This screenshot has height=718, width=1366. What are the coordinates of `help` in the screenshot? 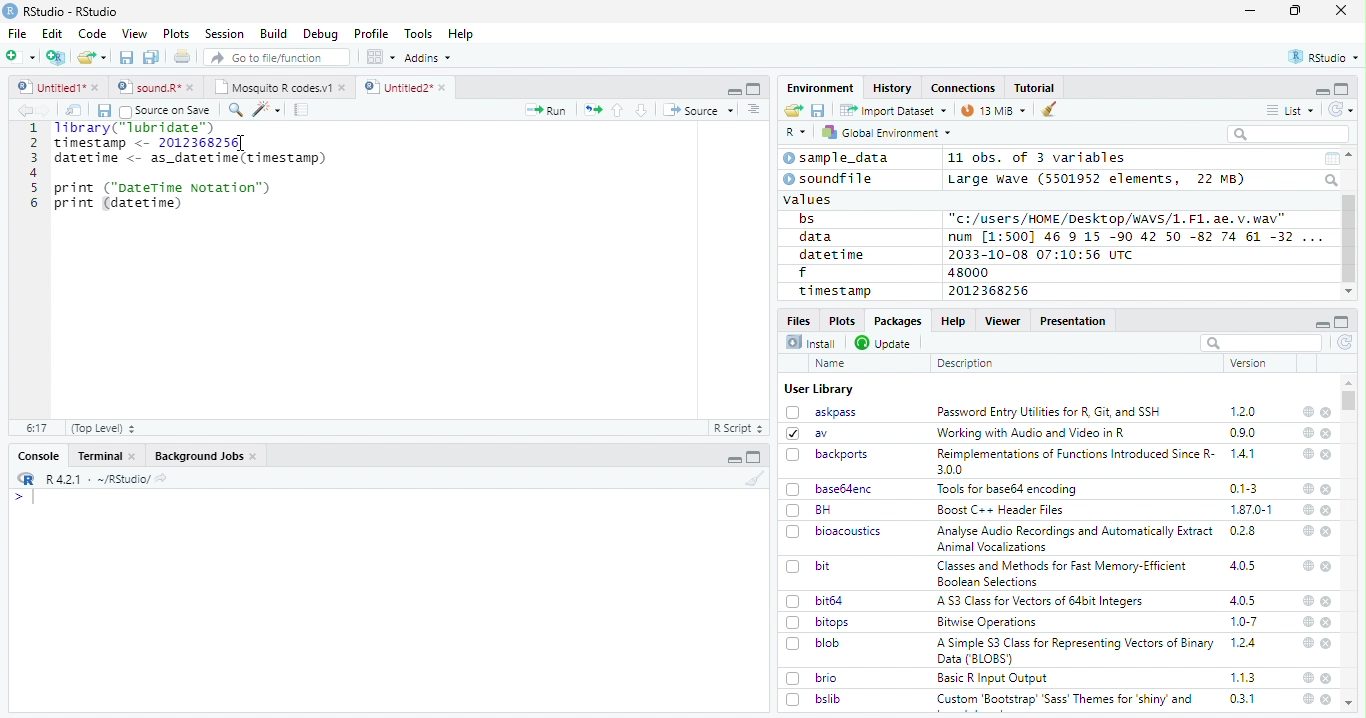 It's located at (1307, 453).